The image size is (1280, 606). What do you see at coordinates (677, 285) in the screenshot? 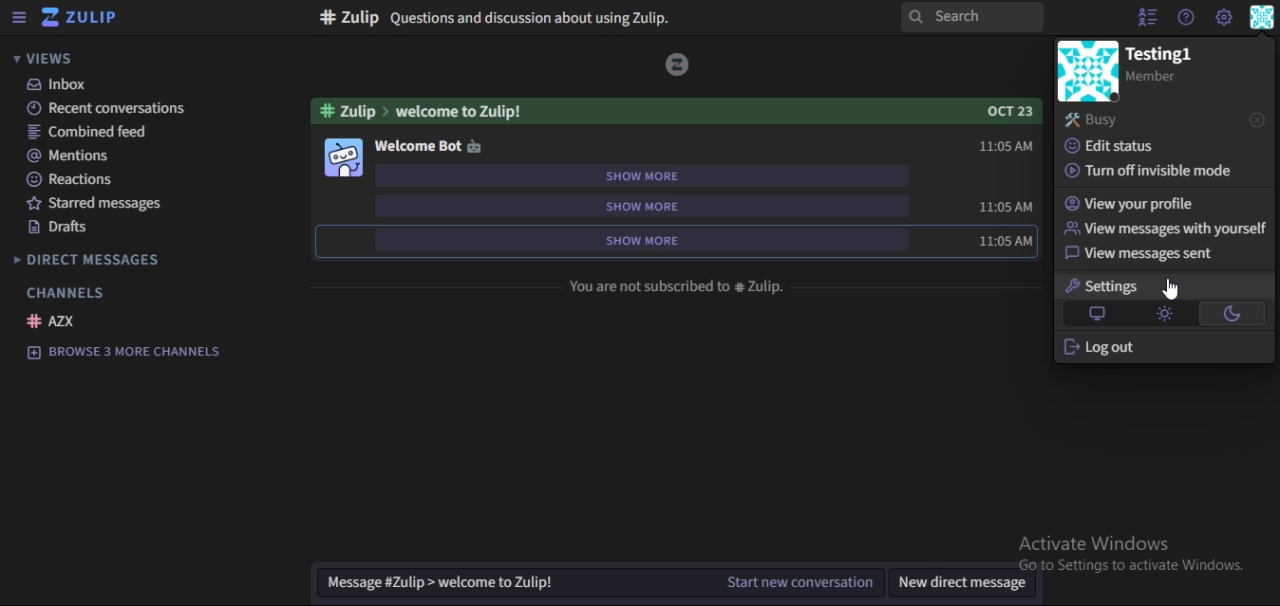
I see `text` at bounding box center [677, 285].